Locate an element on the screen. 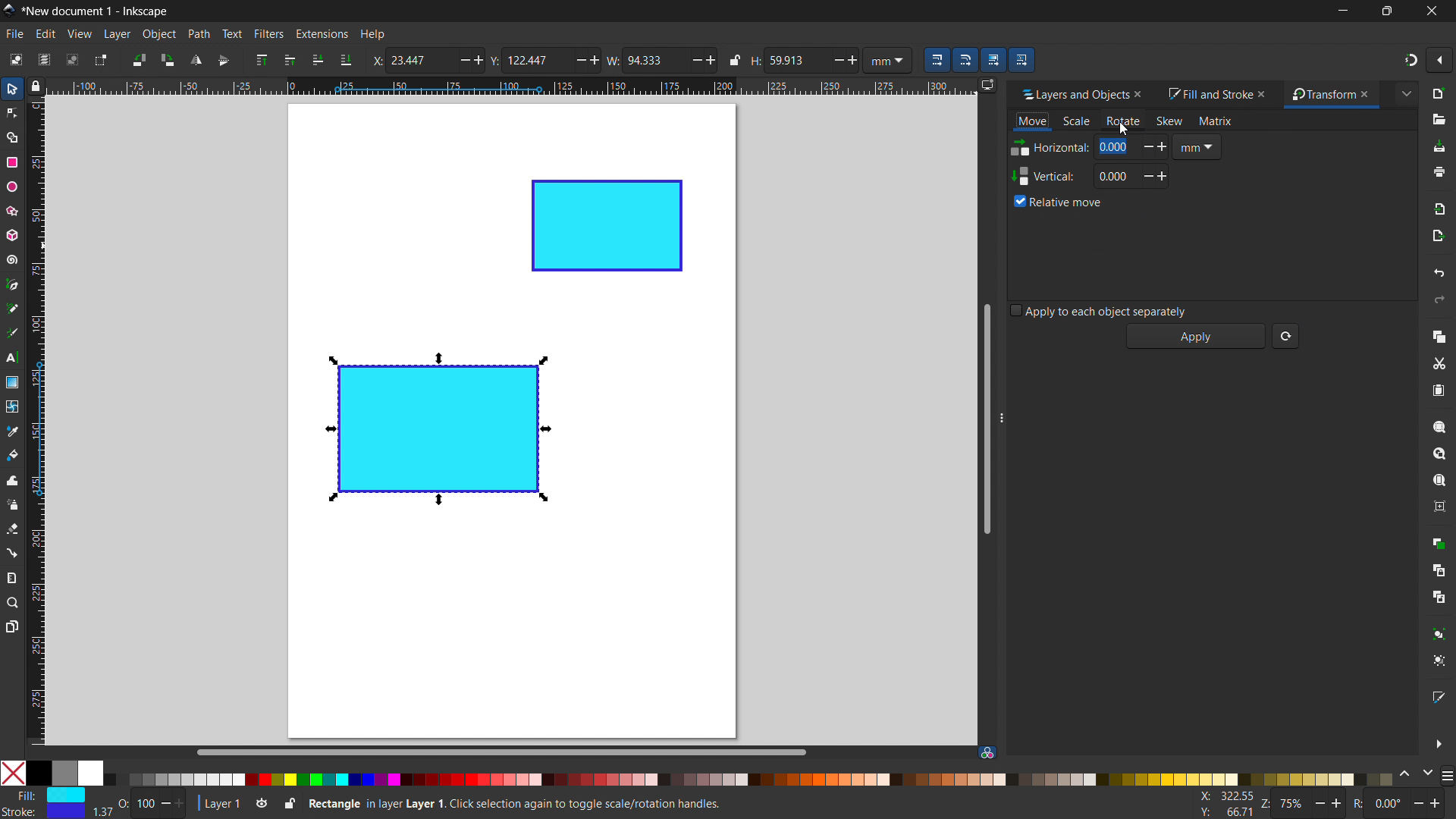 This screenshot has height=819, width=1456. spray tool is located at coordinates (13, 504).